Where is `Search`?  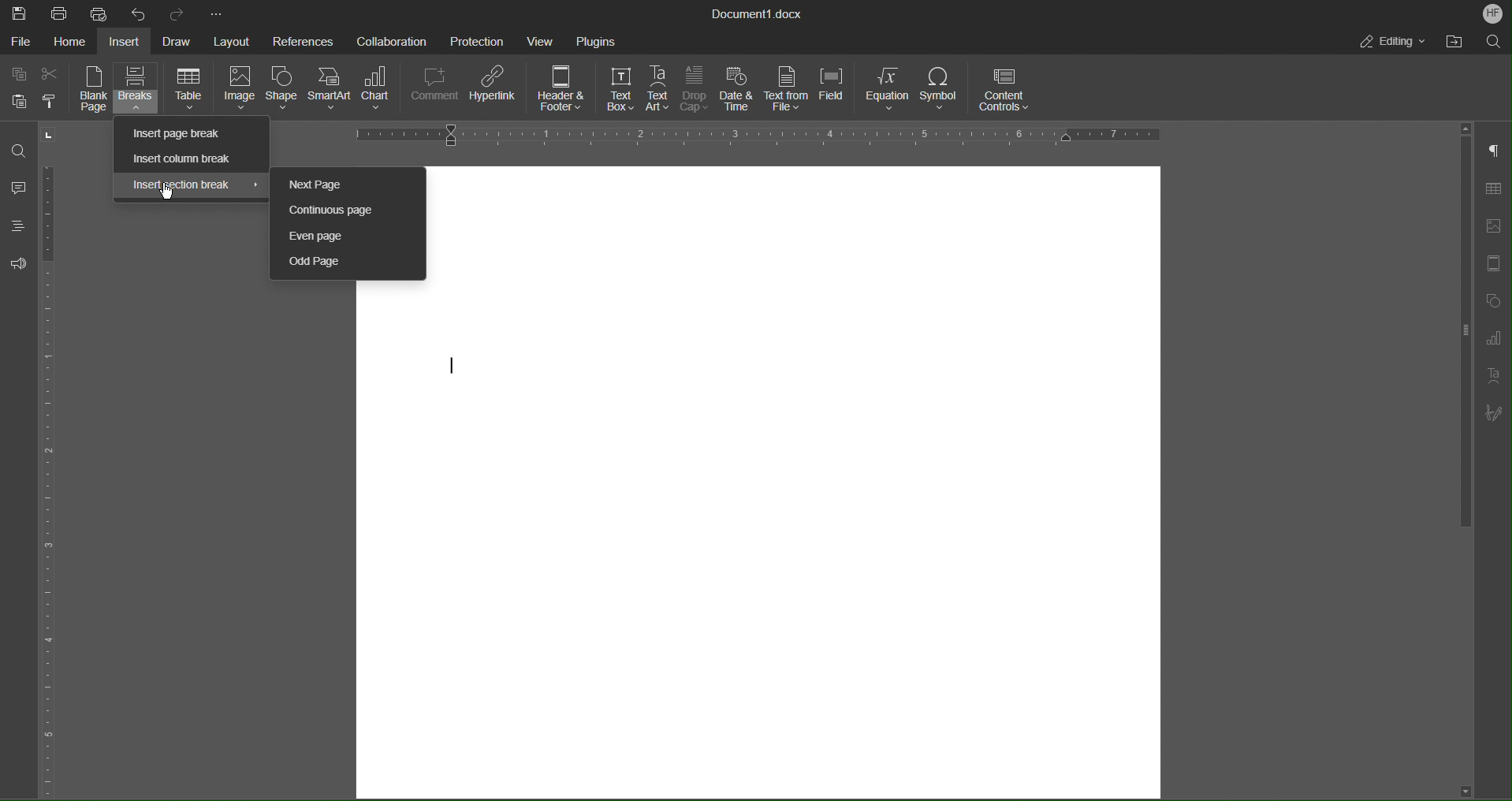 Search is located at coordinates (1497, 43).